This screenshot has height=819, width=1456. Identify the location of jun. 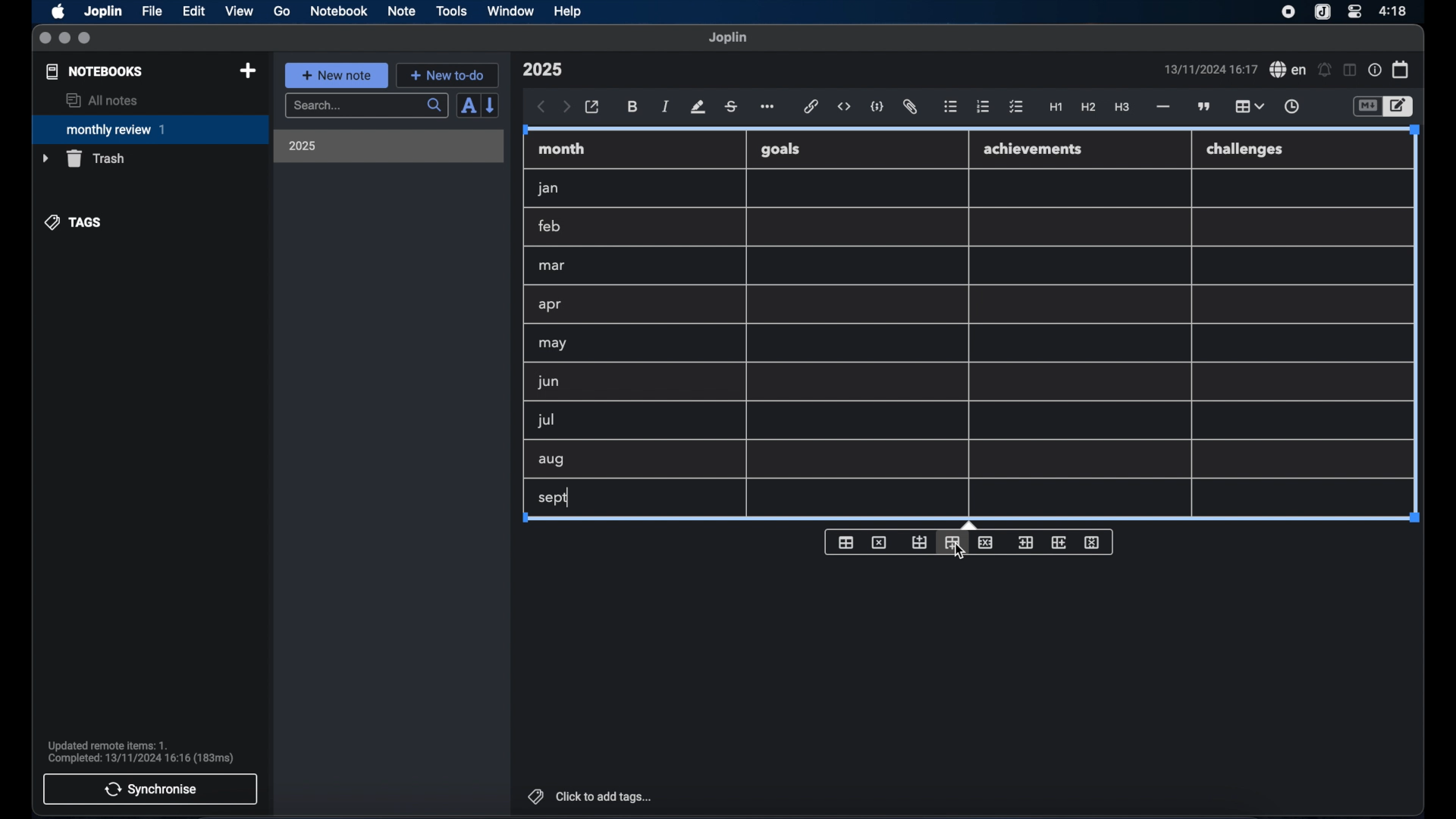
(547, 381).